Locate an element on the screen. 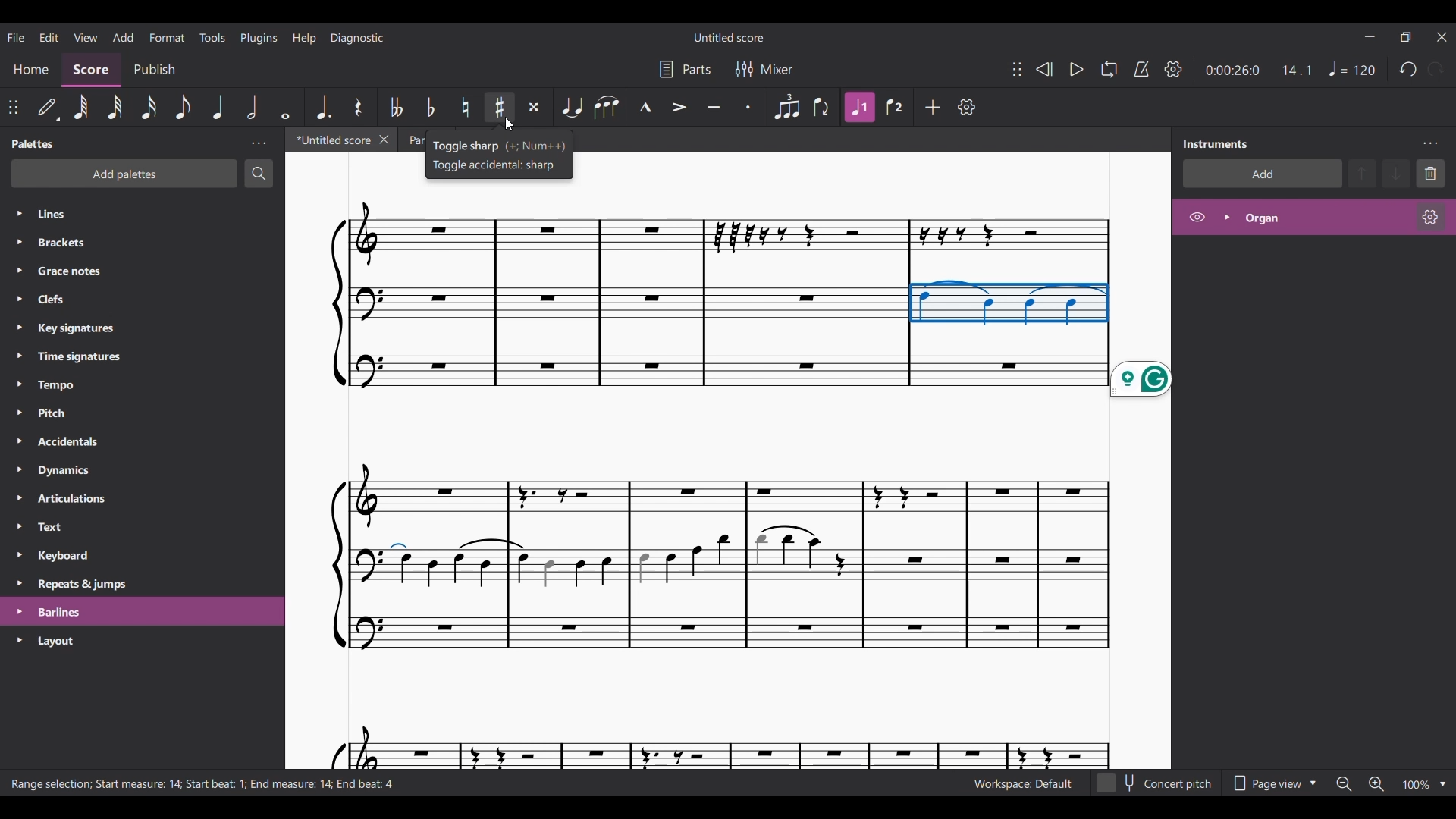  Current ratio and duration is located at coordinates (1258, 69).